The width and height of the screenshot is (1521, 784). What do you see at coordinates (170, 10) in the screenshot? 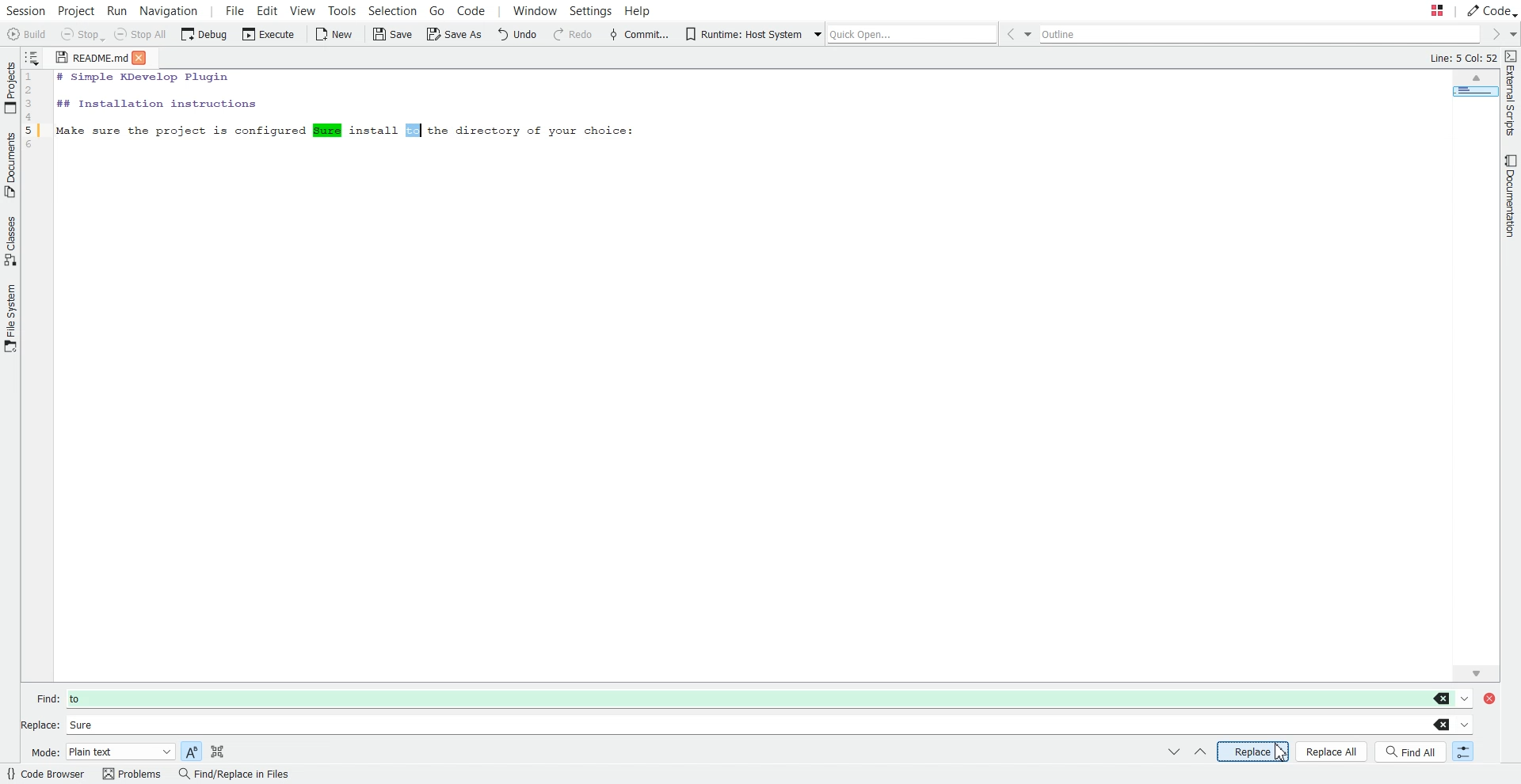
I see `Navigation` at bounding box center [170, 10].